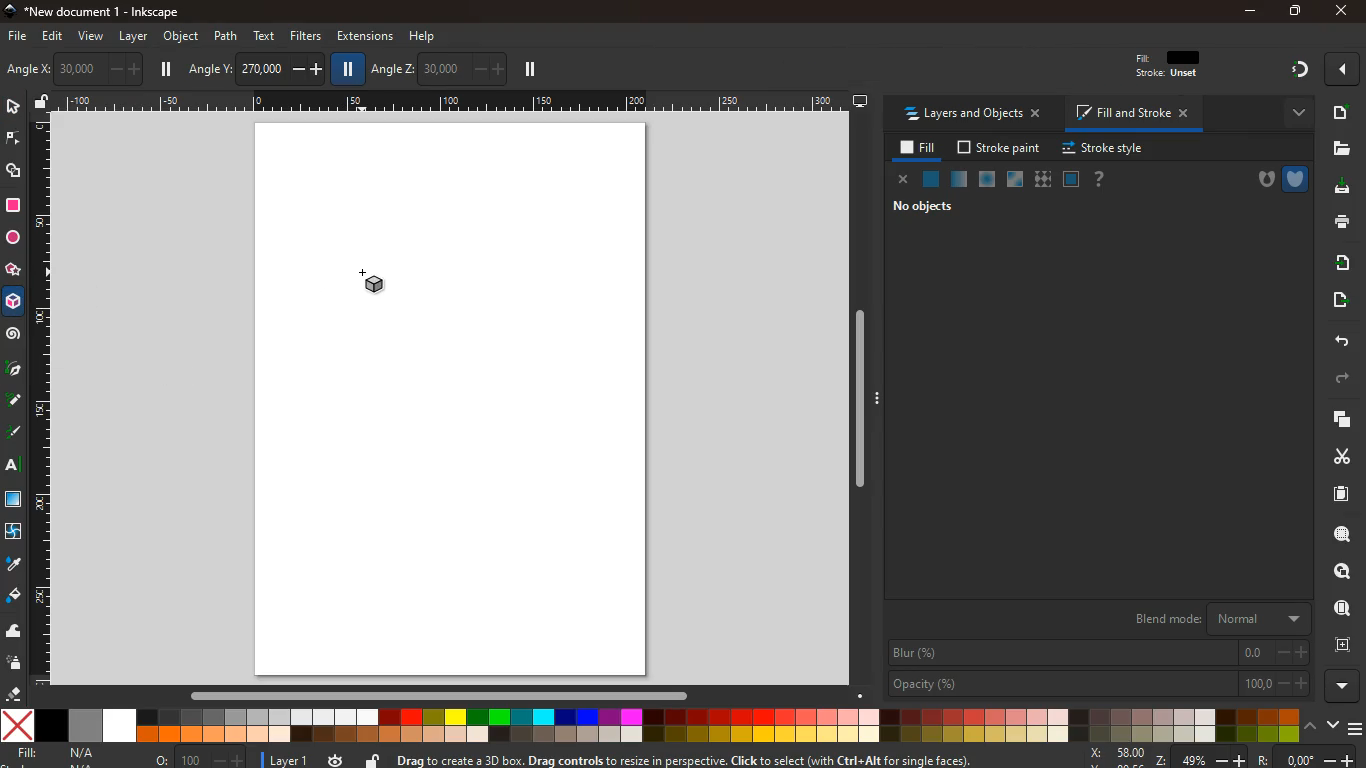 The image size is (1366, 768). Describe the element at coordinates (16, 633) in the screenshot. I see `wave` at that location.